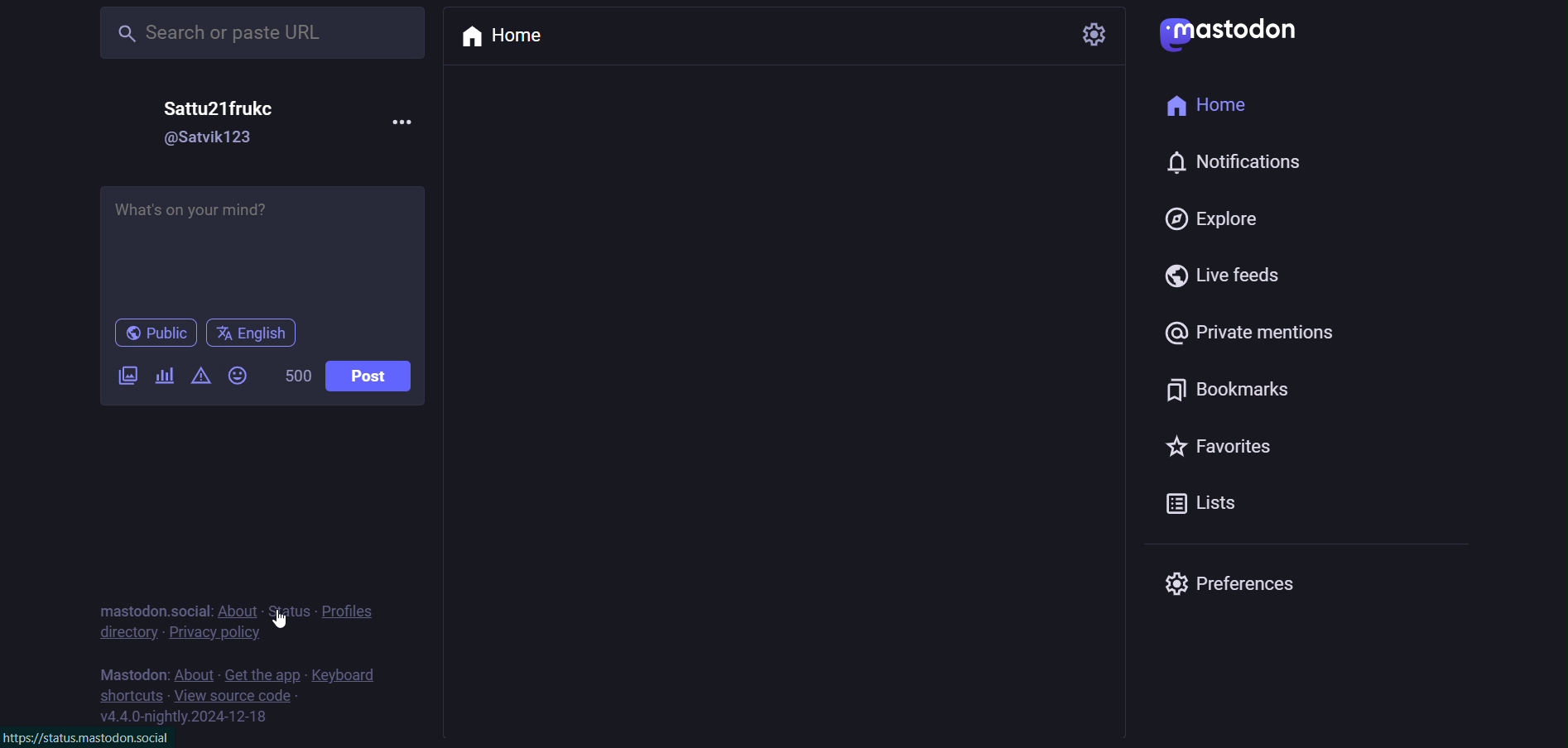 This screenshot has height=748, width=1568. Describe the element at coordinates (279, 619) in the screenshot. I see `Cursor` at that location.